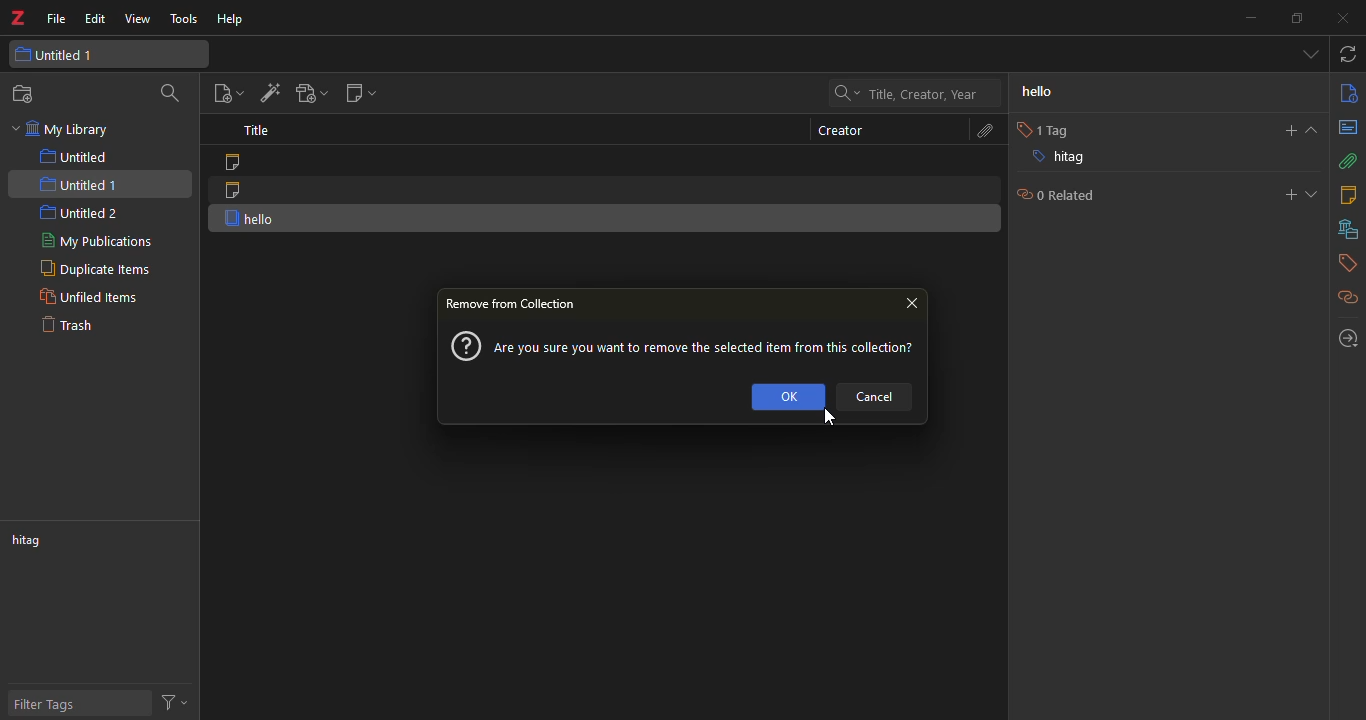  Describe the element at coordinates (1342, 265) in the screenshot. I see `tags` at that location.